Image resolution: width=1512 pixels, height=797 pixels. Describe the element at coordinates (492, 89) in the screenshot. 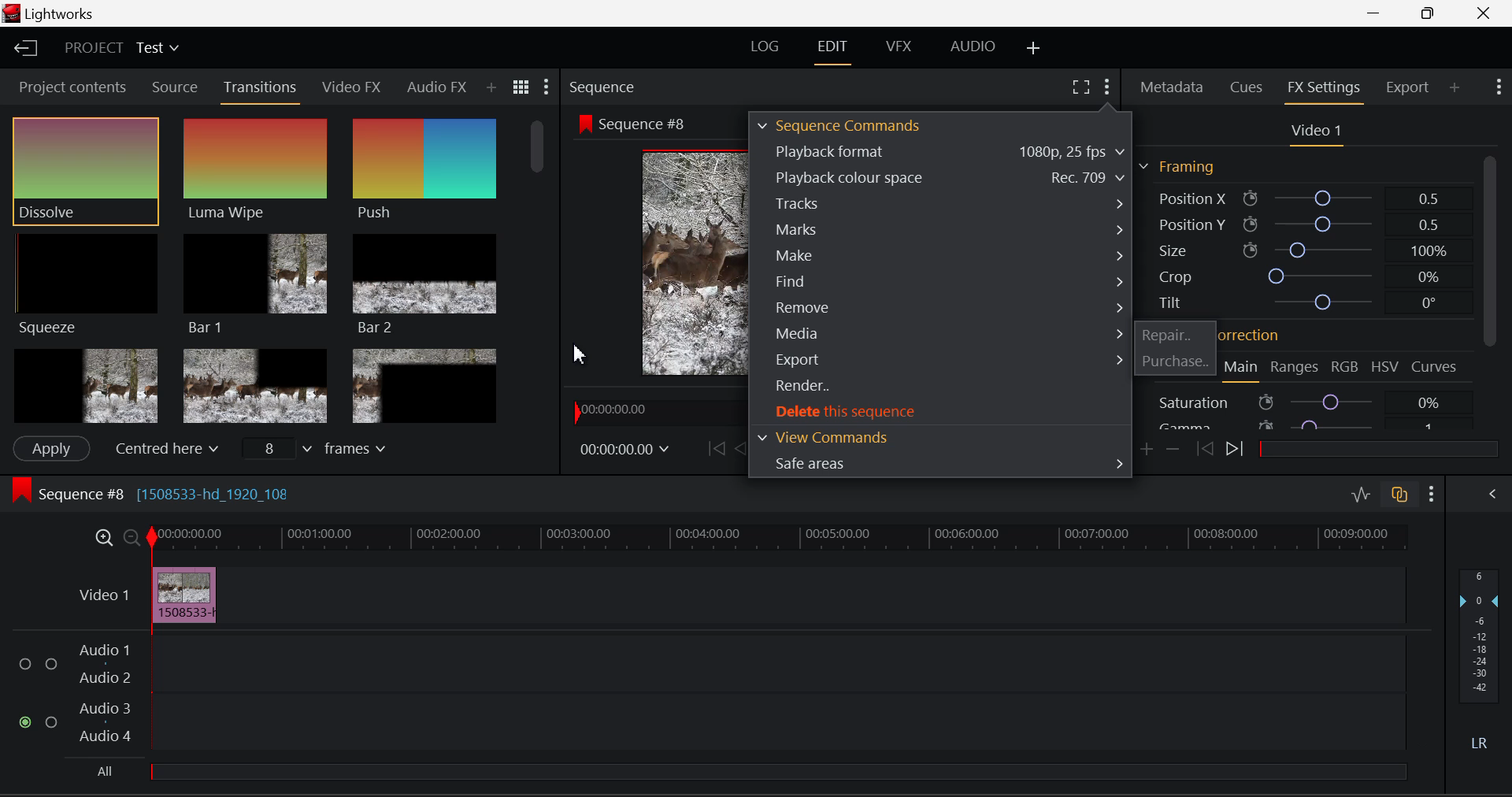

I see `Add Panel` at that location.